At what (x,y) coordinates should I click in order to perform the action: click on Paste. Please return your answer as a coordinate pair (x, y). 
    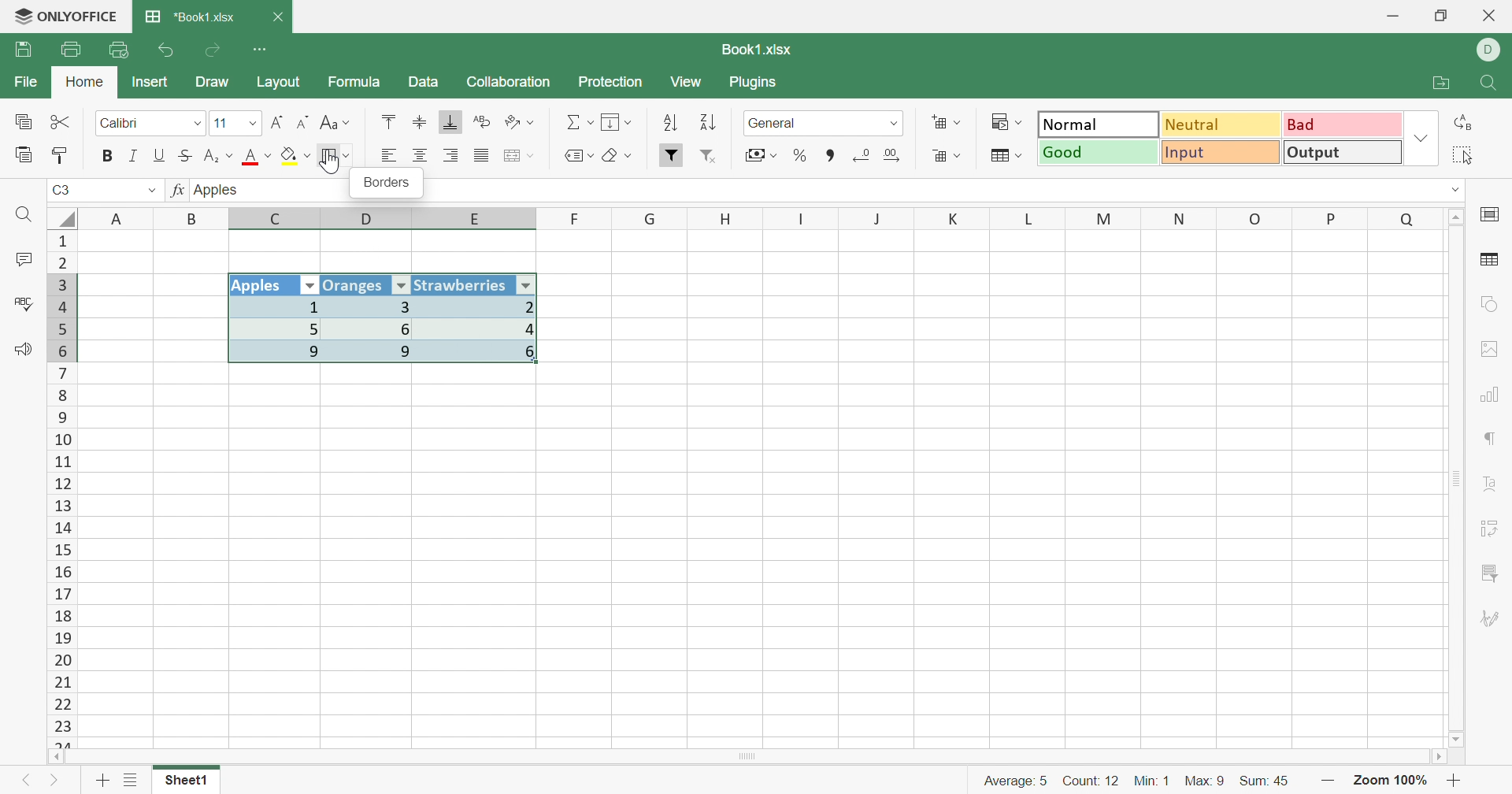
    Looking at the image, I should click on (24, 155).